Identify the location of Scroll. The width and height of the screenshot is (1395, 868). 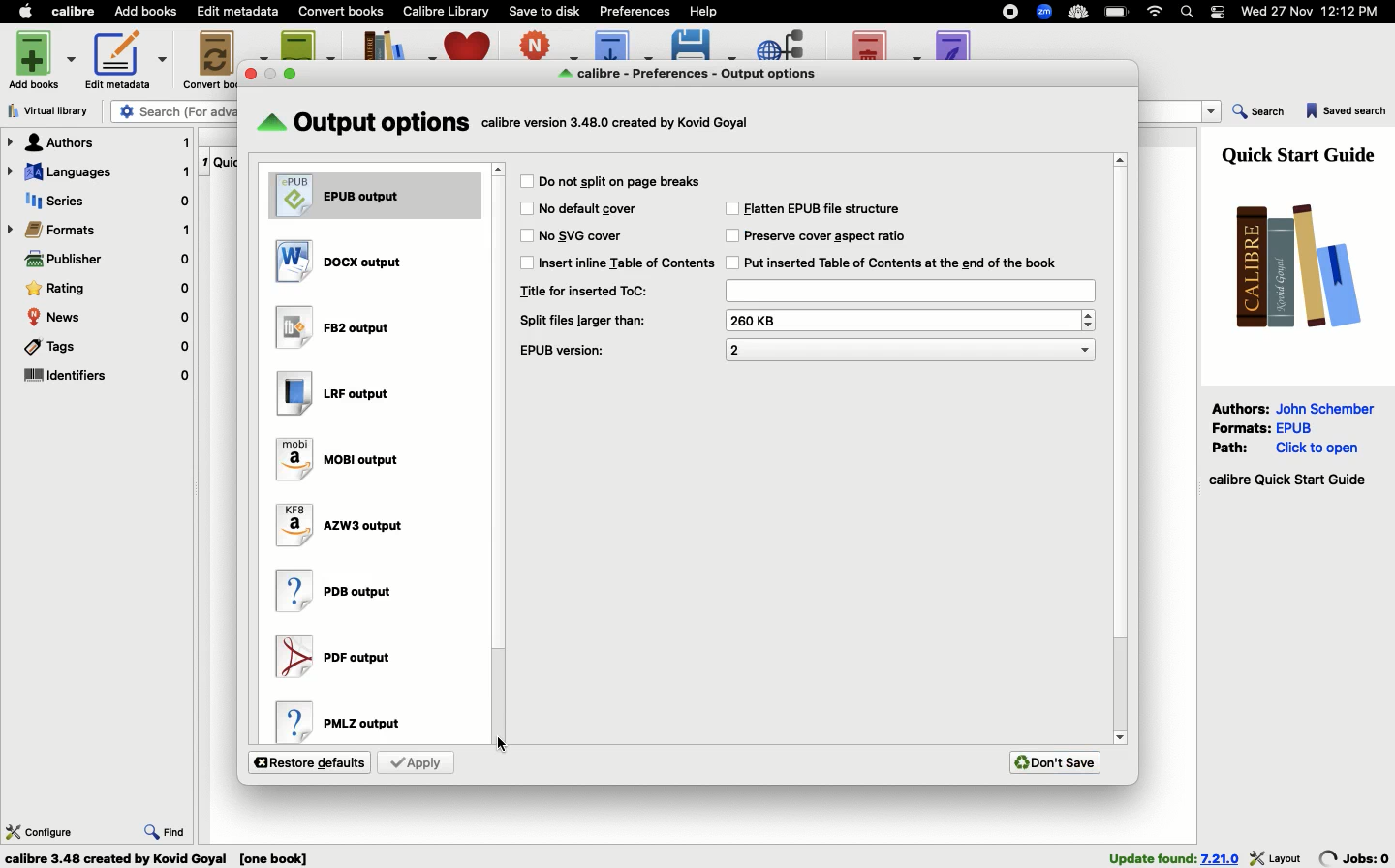
(497, 457).